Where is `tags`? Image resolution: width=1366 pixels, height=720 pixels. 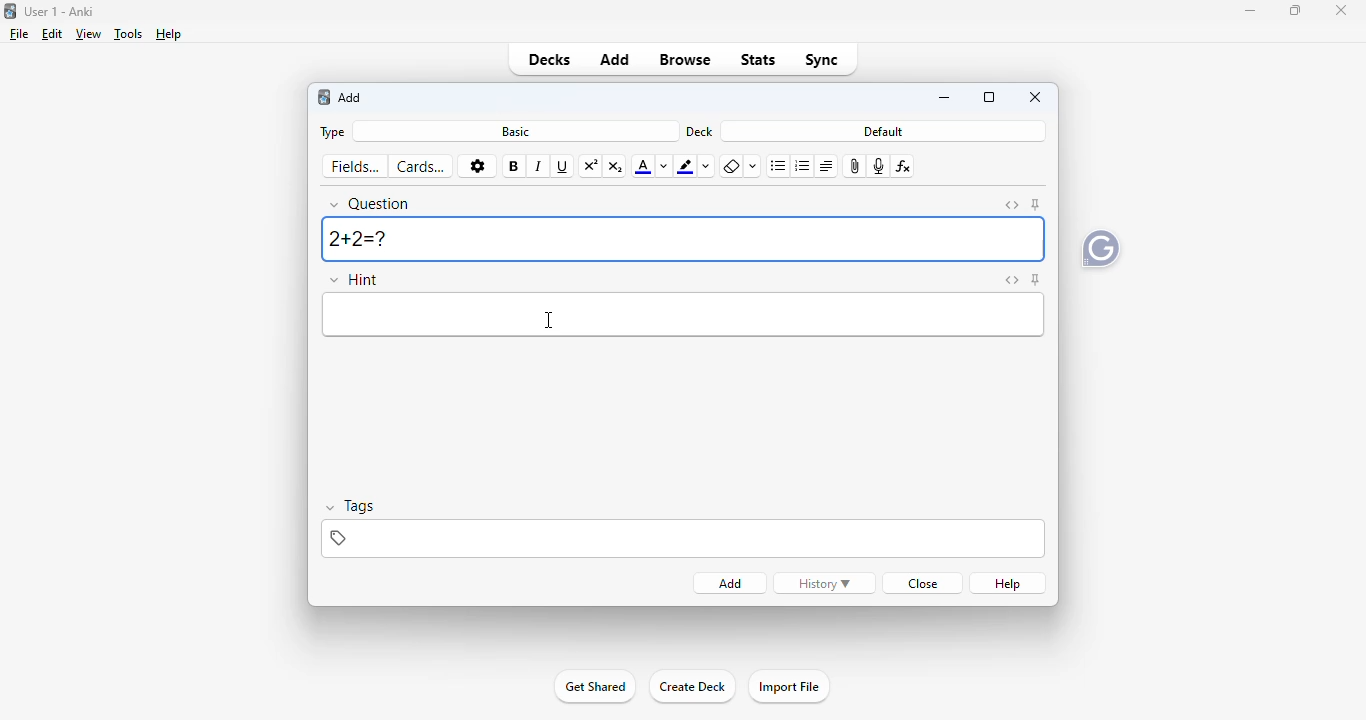
tags is located at coordinates (350, 506).